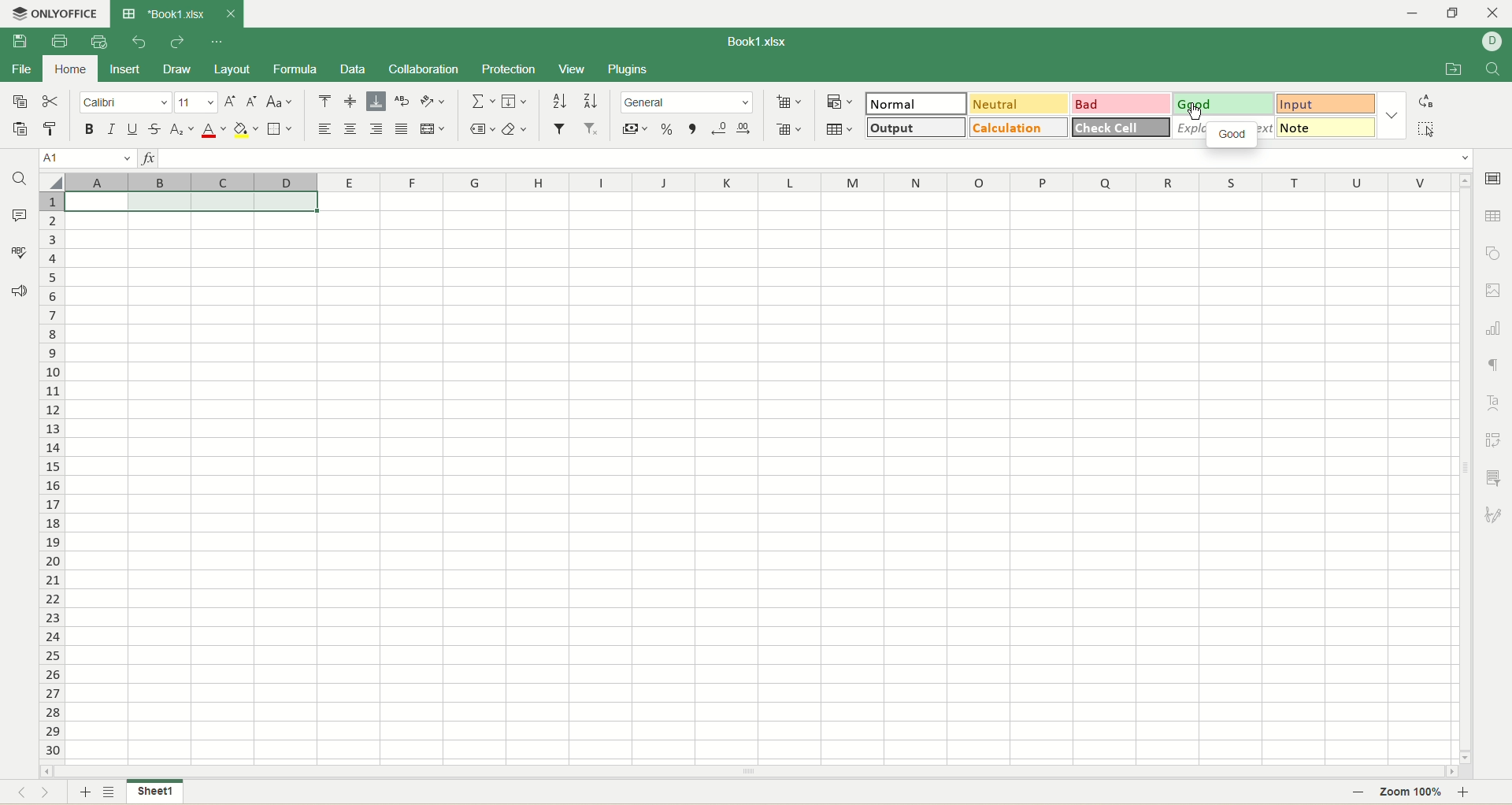  I want to click on explanatory text, so click(1222, 128).